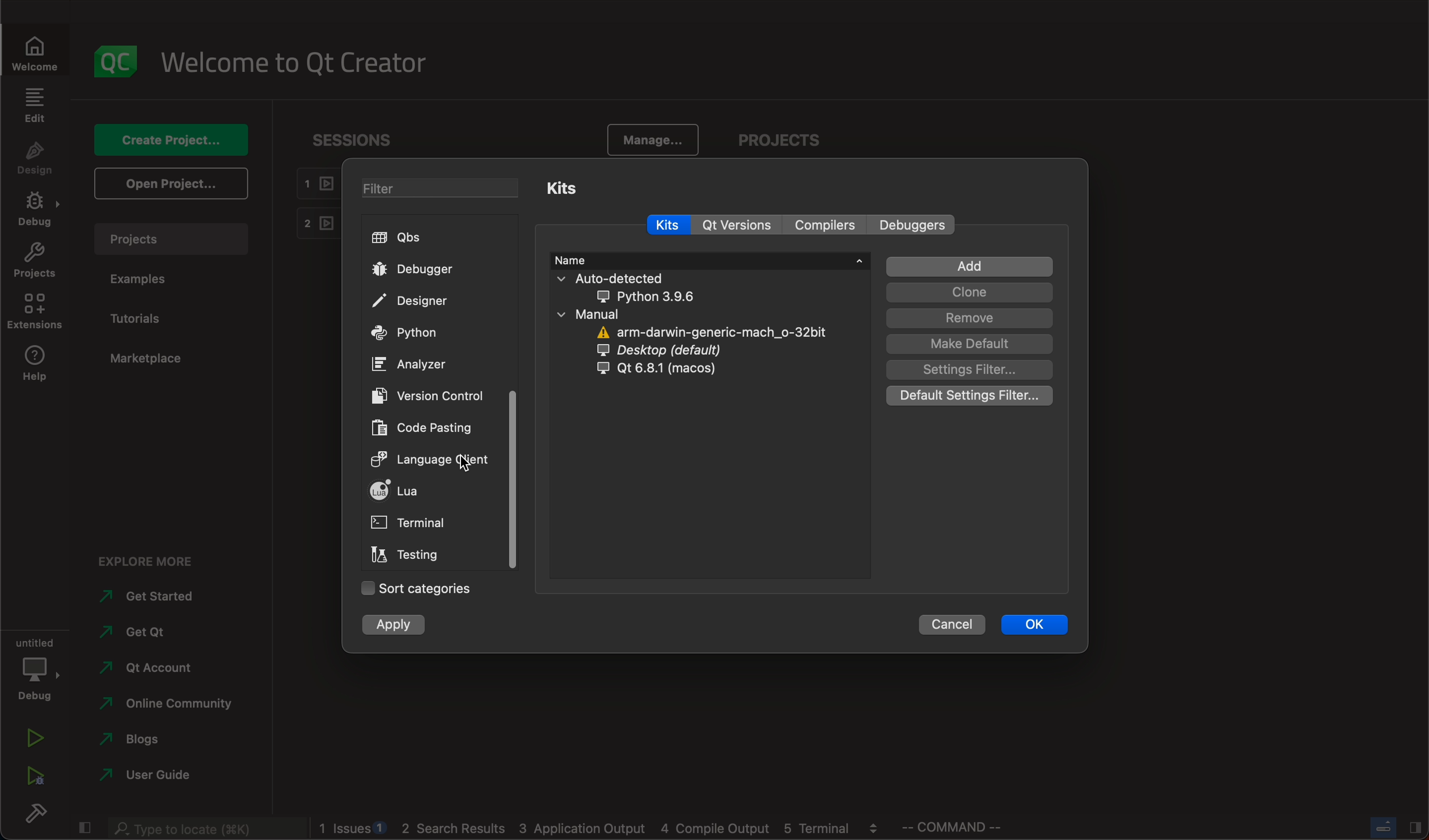  What do you see at coordinates (669, 222) in the screenshot?
I see `kits` at bounding box center [669, 222].